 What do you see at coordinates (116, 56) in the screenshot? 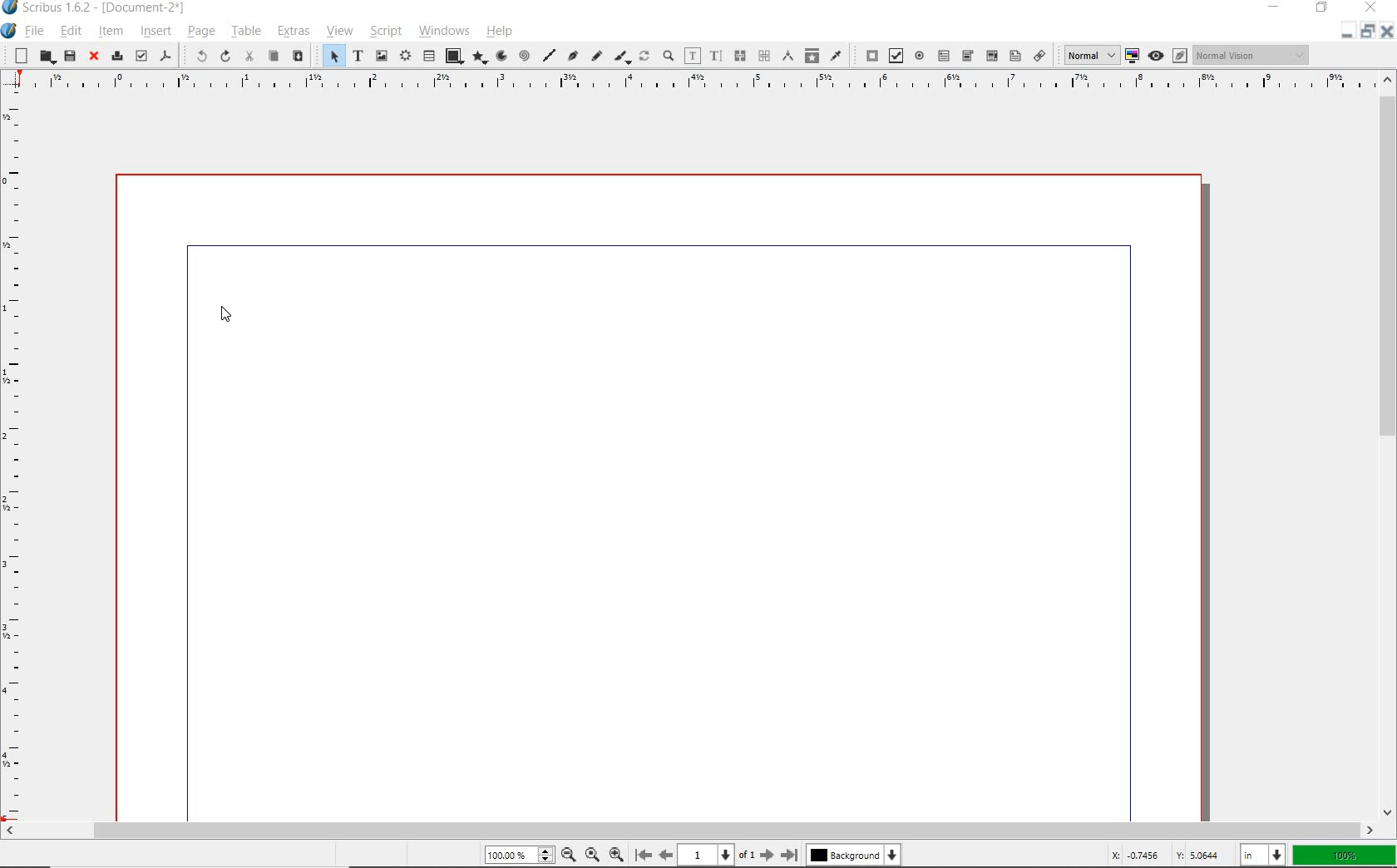
I see `print` at bounding box center [116, 56].